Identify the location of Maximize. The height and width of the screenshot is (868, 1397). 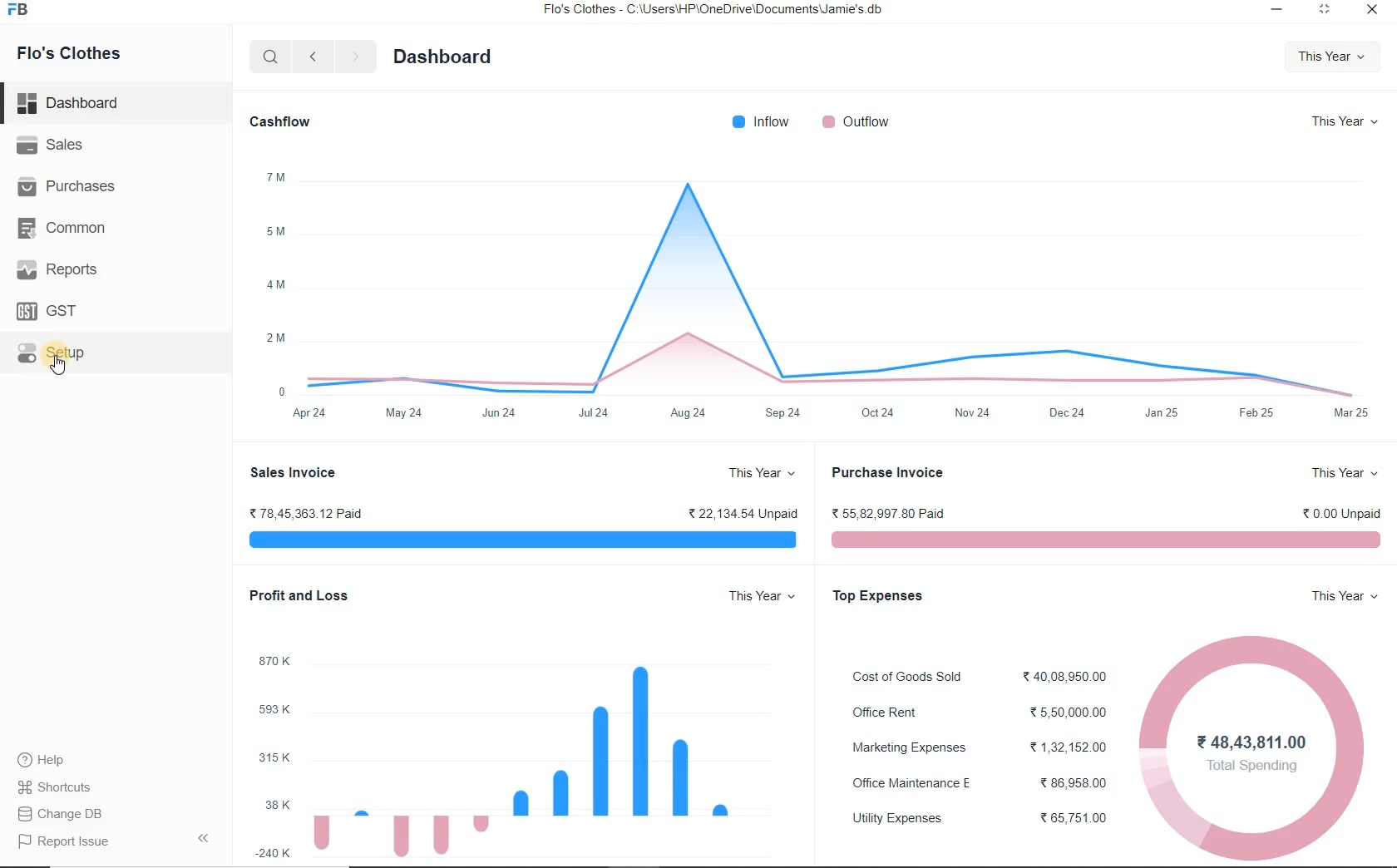
(1327, 10).